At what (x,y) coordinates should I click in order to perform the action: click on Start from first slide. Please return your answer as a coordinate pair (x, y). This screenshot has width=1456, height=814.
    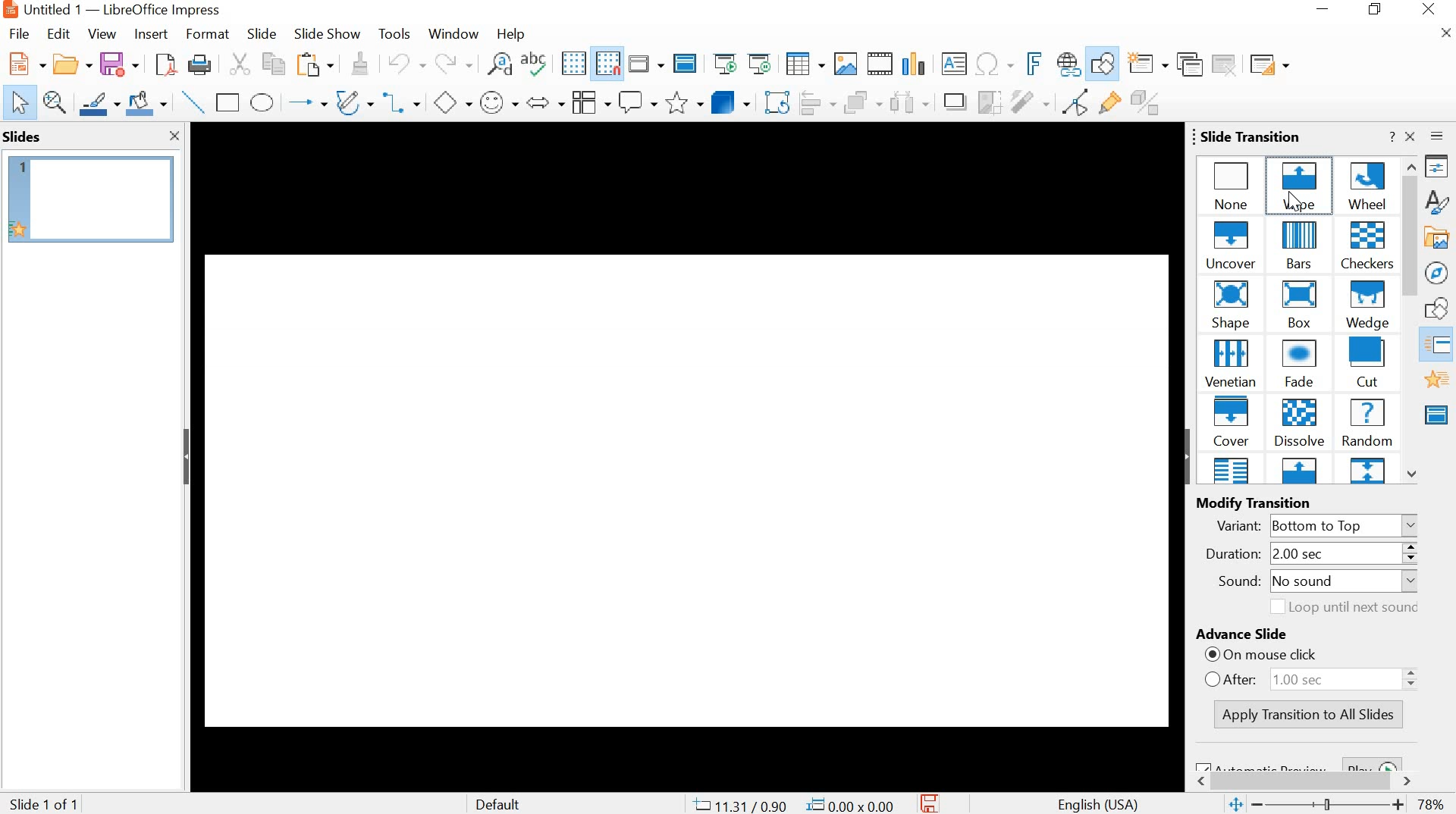
    Looking at the image, I should click on (723, 63).